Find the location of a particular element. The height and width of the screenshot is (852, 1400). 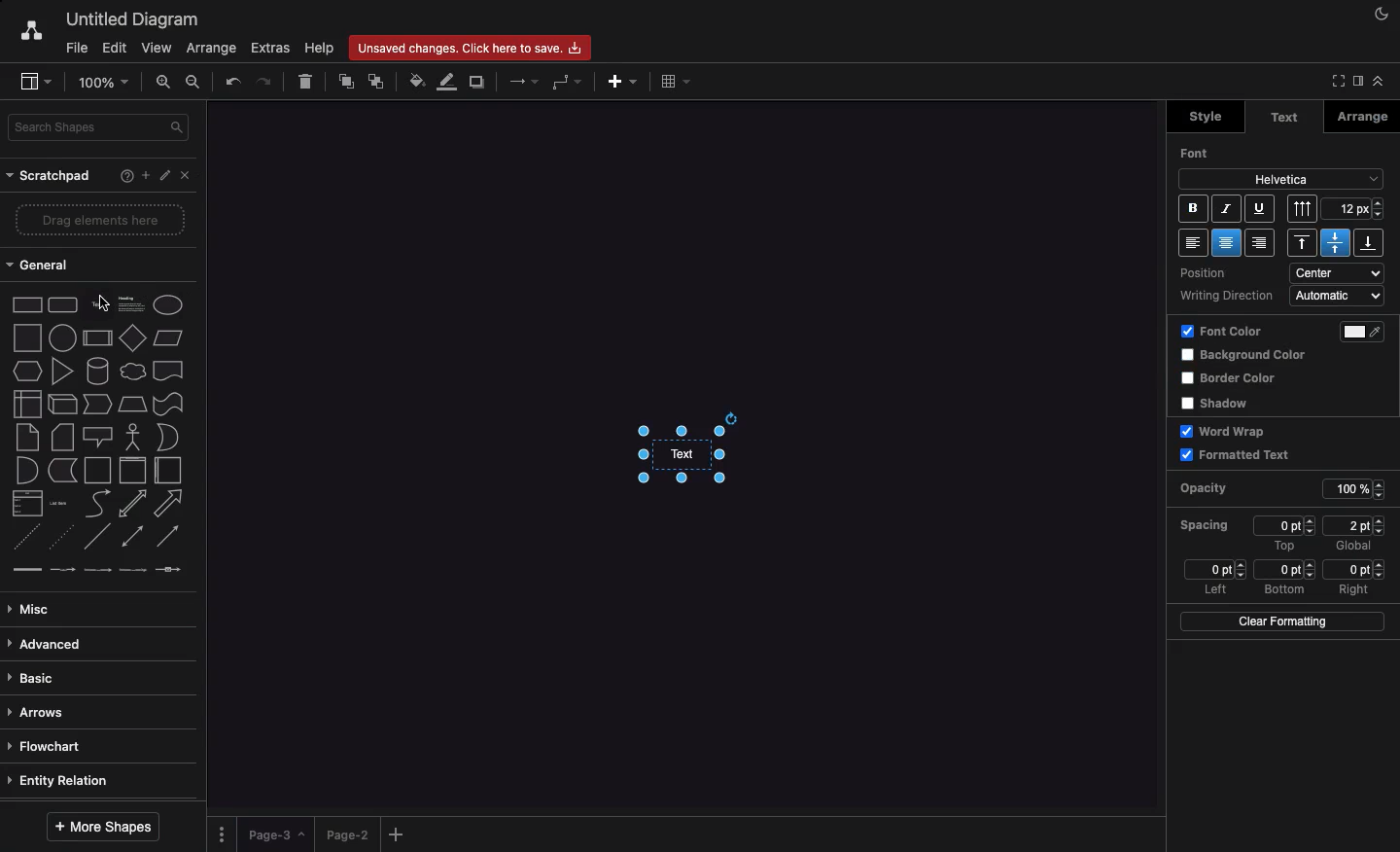

bidirectional connector  is located at coordinates (131, 536).